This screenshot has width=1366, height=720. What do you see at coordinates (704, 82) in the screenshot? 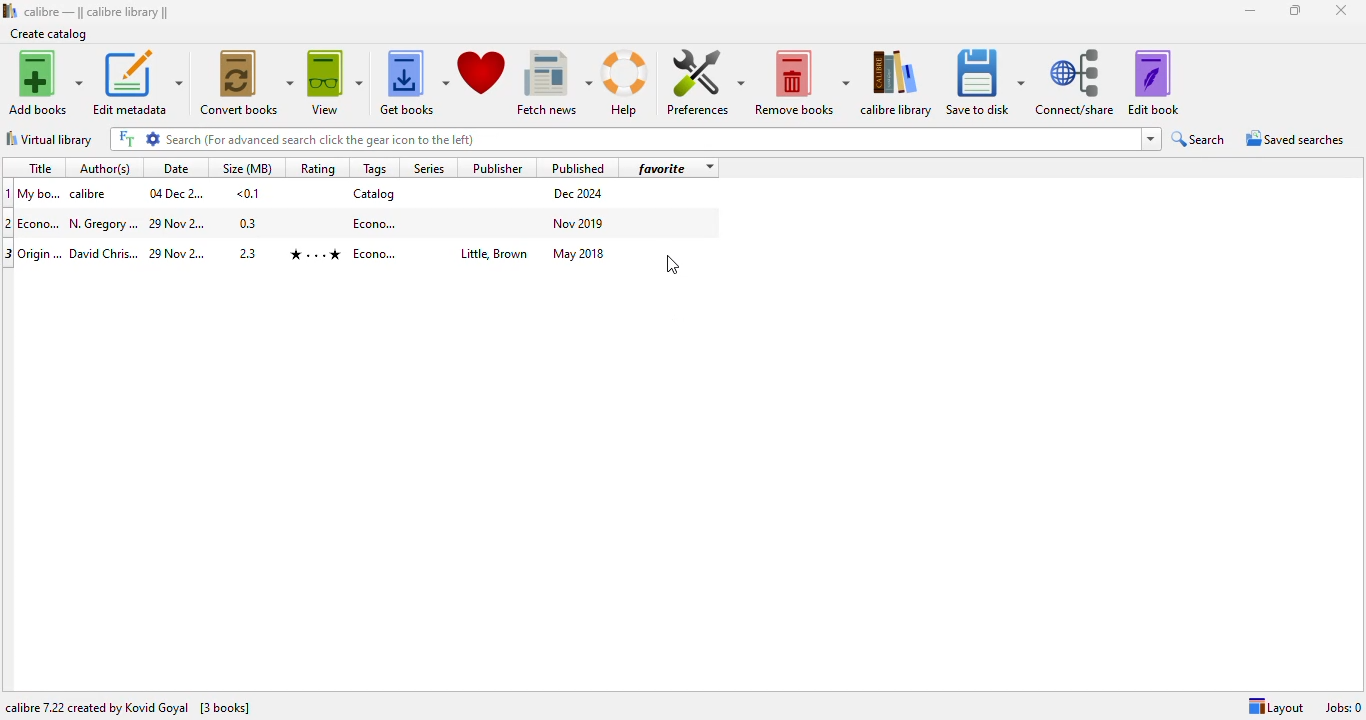
I see `preferences` at bounding box center [704, 82].